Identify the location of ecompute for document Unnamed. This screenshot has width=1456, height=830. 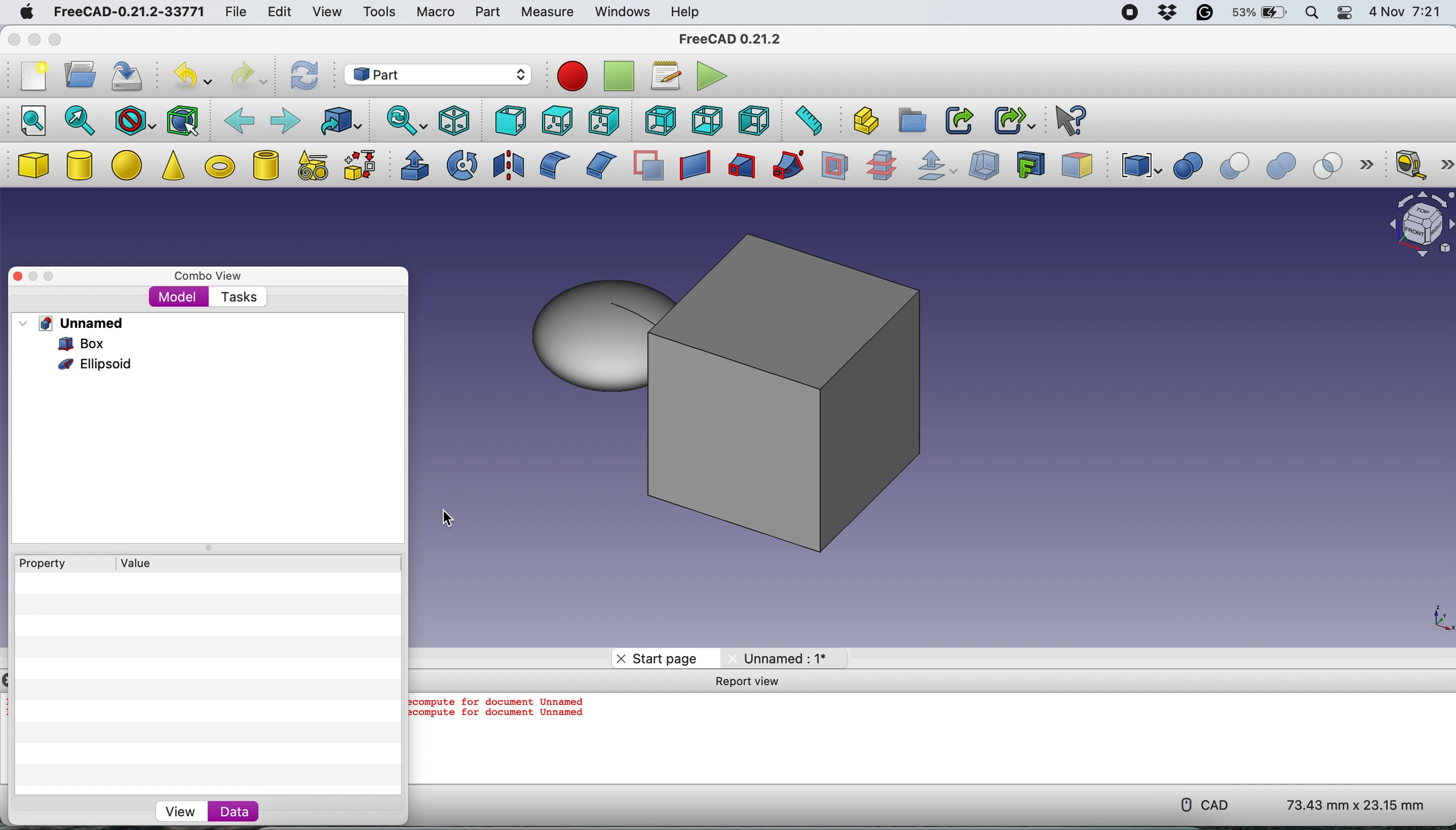
(501, 702).